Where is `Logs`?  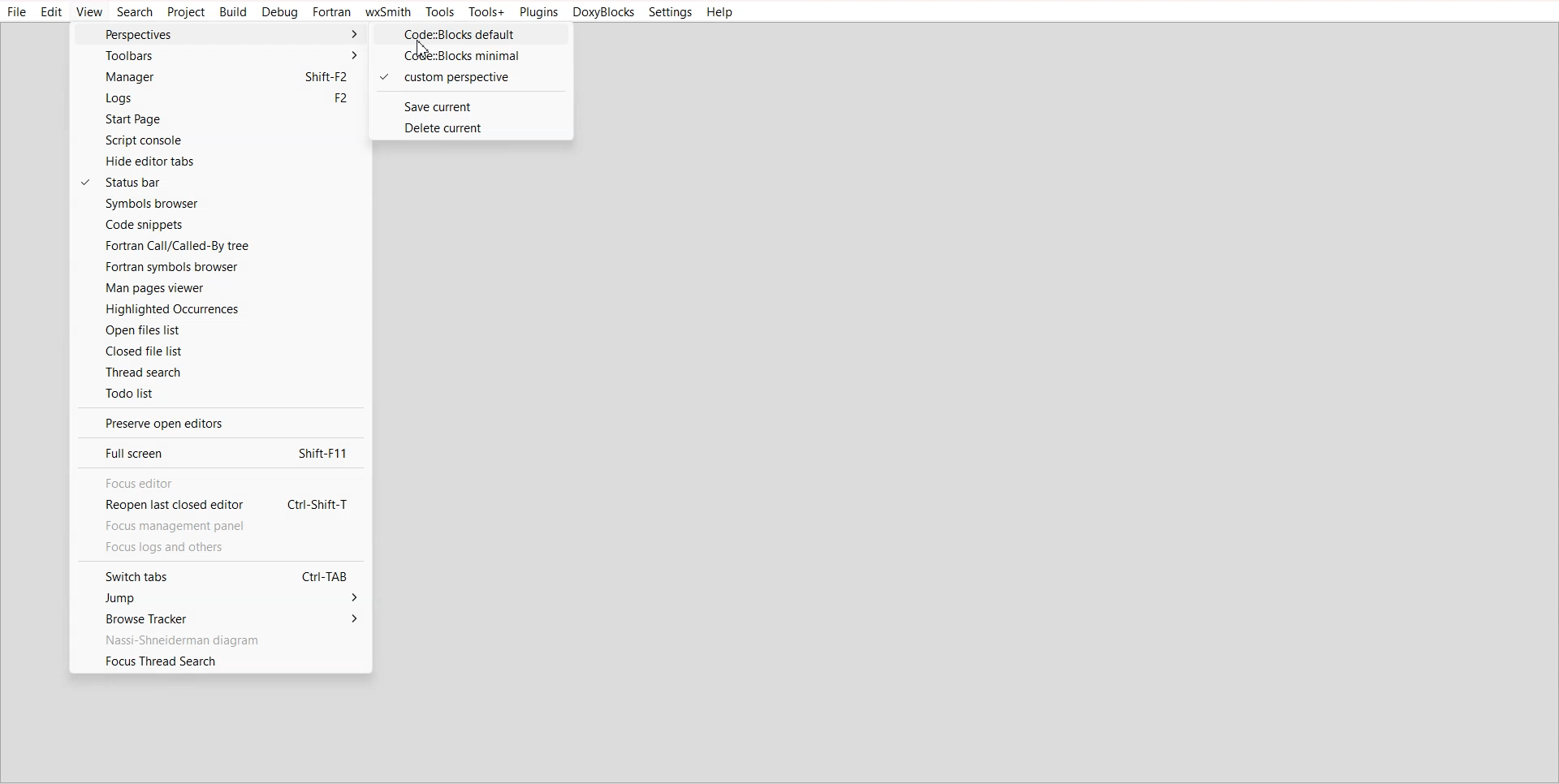 Logs is located at coordinates (217, 99).